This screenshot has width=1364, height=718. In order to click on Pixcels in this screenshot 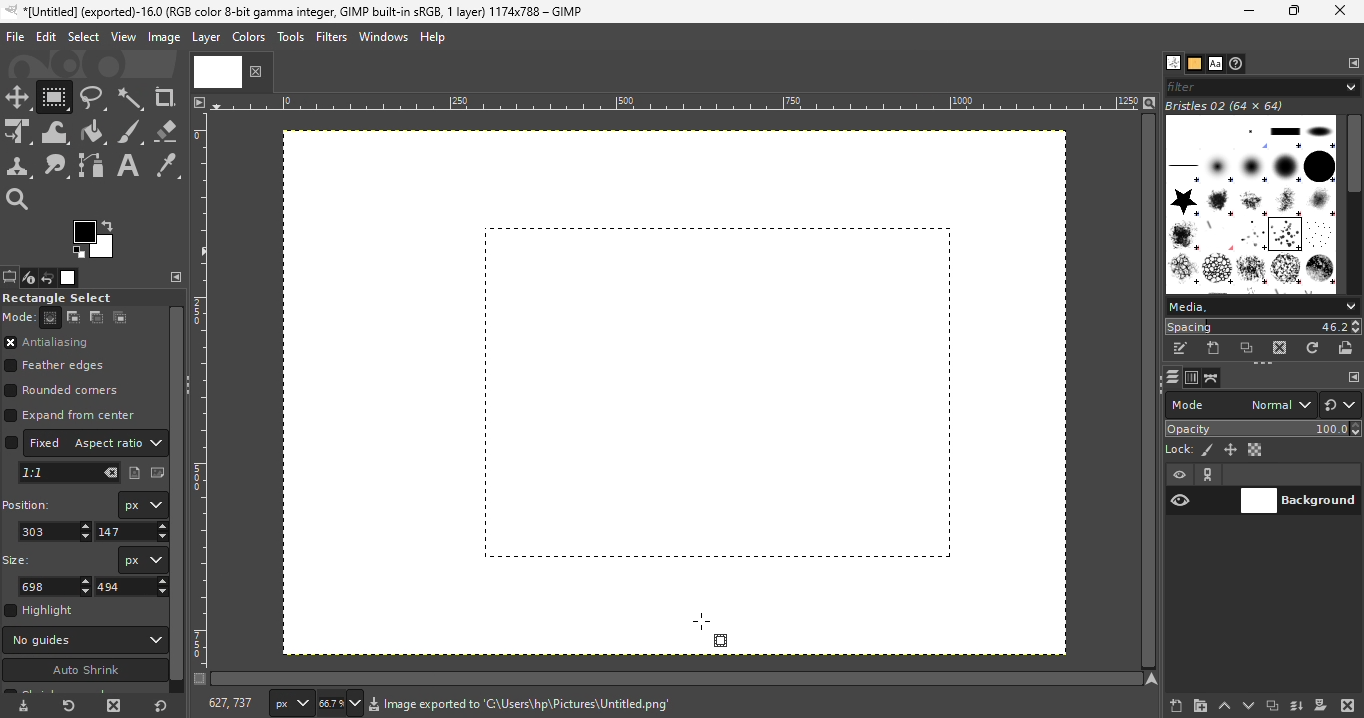, I will do `click(1208, 451)`.